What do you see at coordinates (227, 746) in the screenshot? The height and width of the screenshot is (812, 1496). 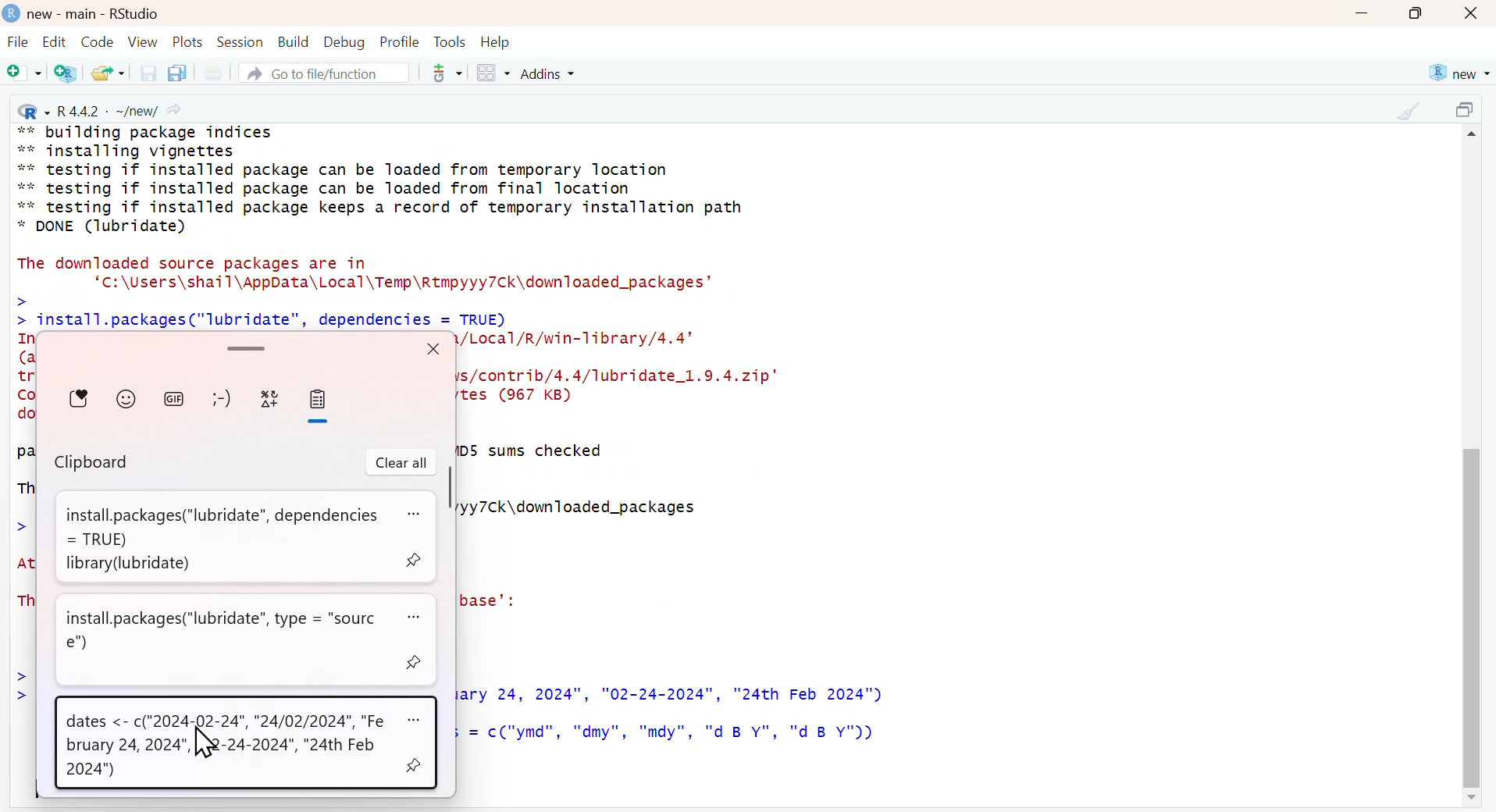 I see `dates <- ¢("2024-02-24", "24/02/2024", "Fe
bruary 24, 2024", "02-24-2024", "24th Feb
2024")` at bounding box center [227, 746].